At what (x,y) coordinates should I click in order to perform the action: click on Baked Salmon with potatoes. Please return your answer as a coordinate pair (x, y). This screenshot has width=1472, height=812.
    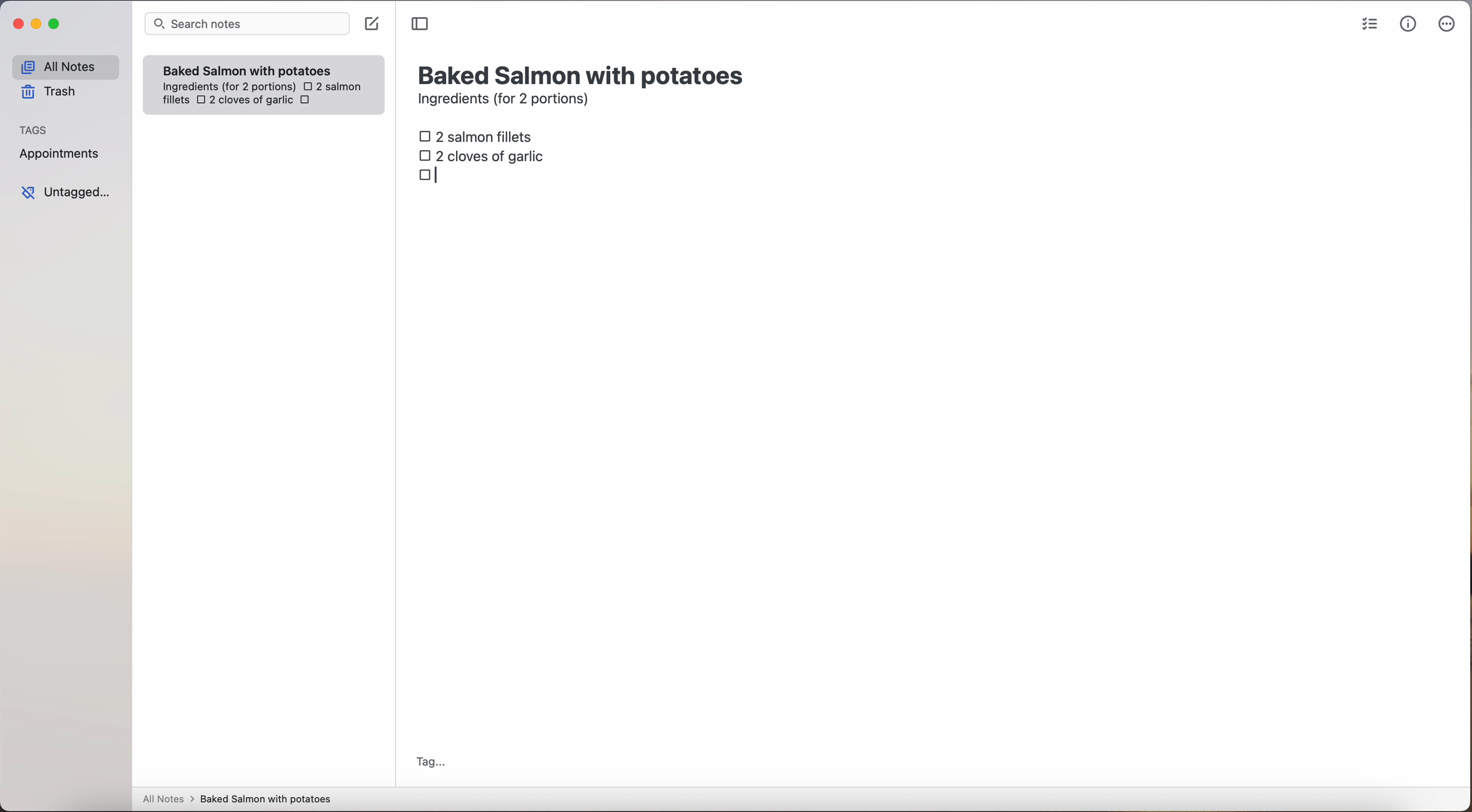
    Looking at the image, I should click on (247, 68).